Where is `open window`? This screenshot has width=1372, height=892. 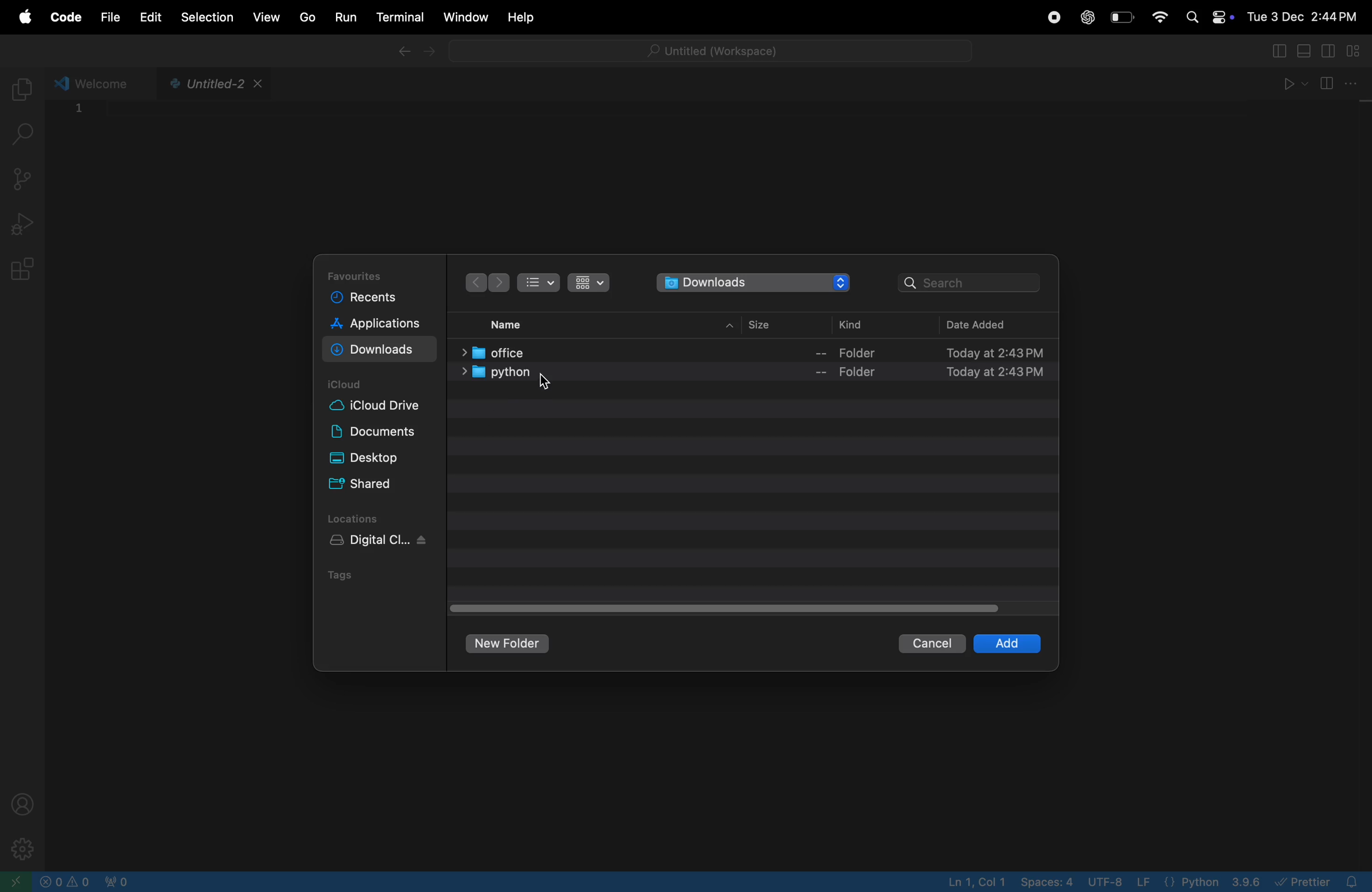
open window is located at coordinates (14, 882).